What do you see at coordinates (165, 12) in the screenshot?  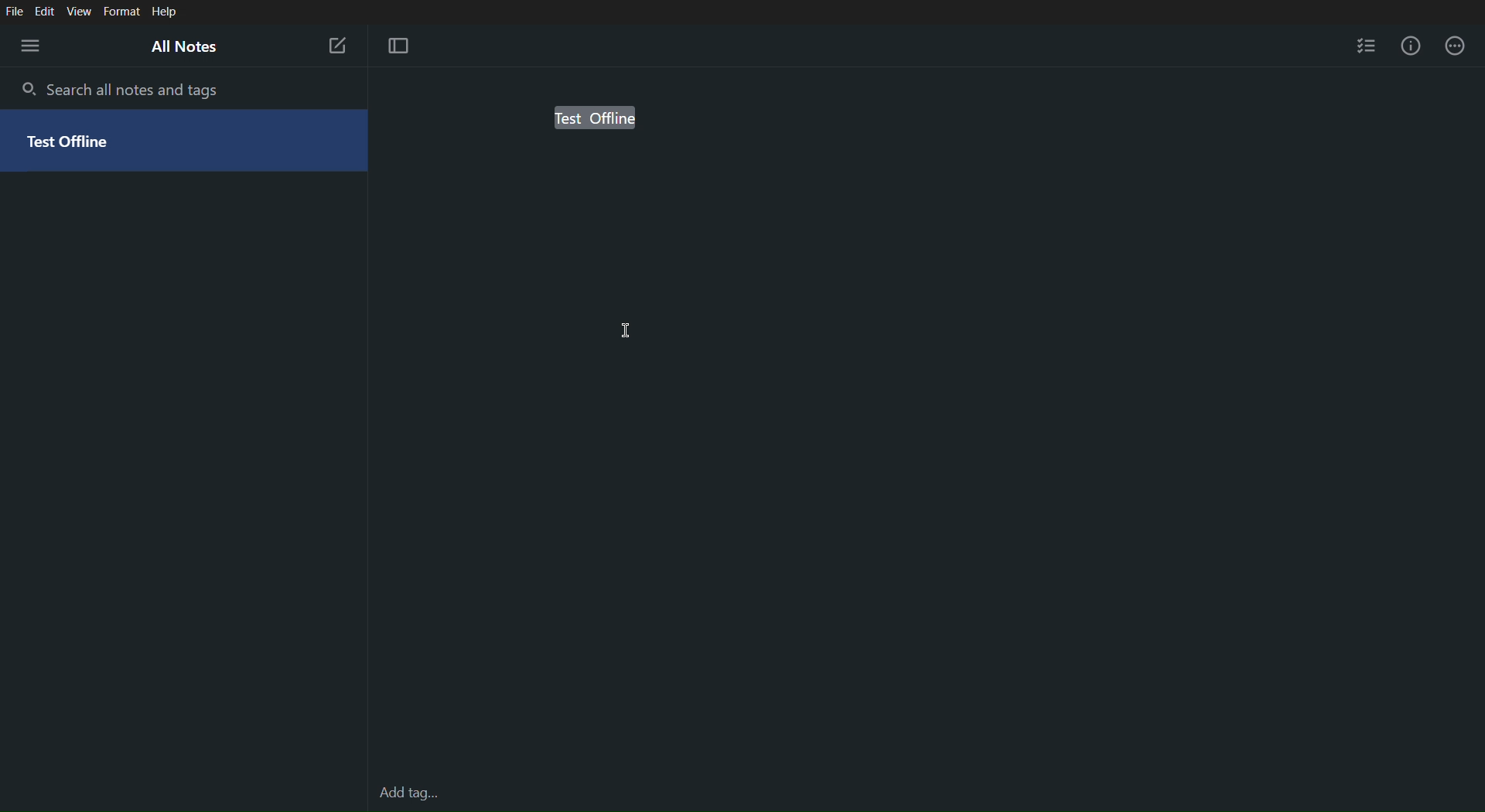 I see `Help` at bounding box center [165, 12].